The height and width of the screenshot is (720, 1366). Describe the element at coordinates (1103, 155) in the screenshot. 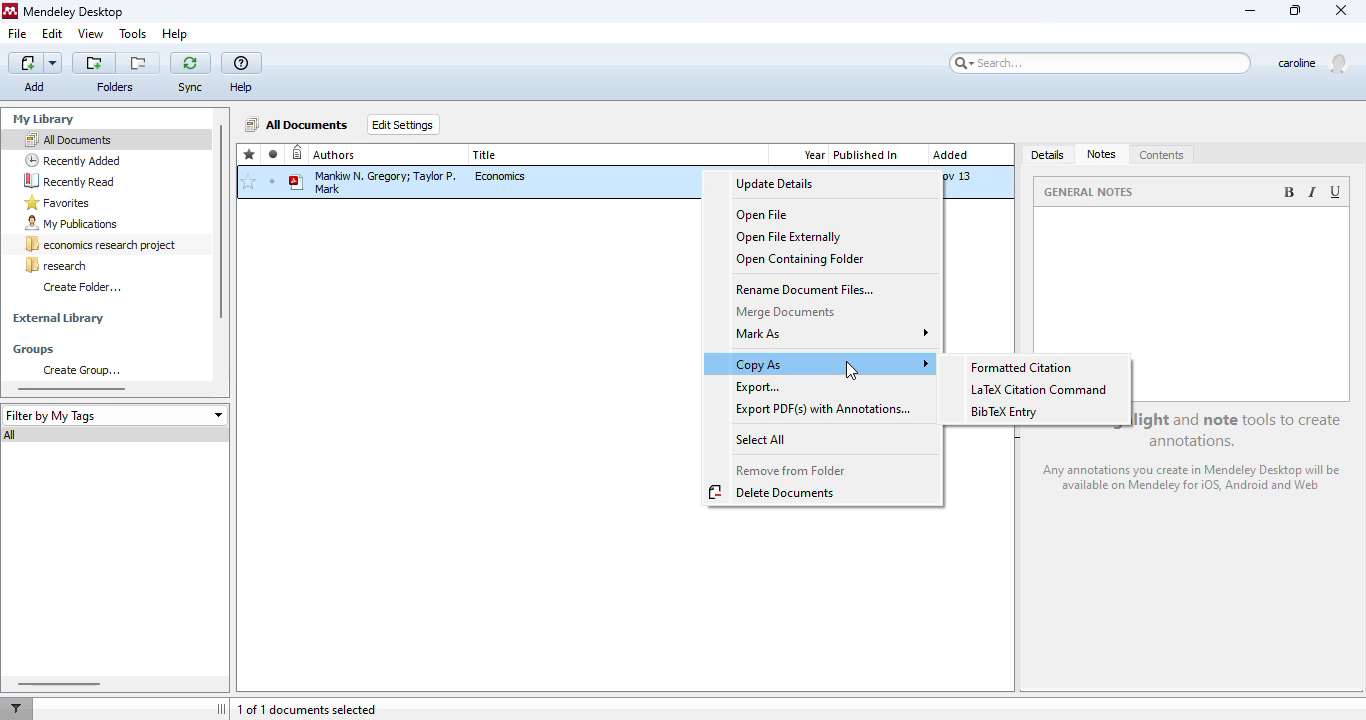

I see `notes` at that location.